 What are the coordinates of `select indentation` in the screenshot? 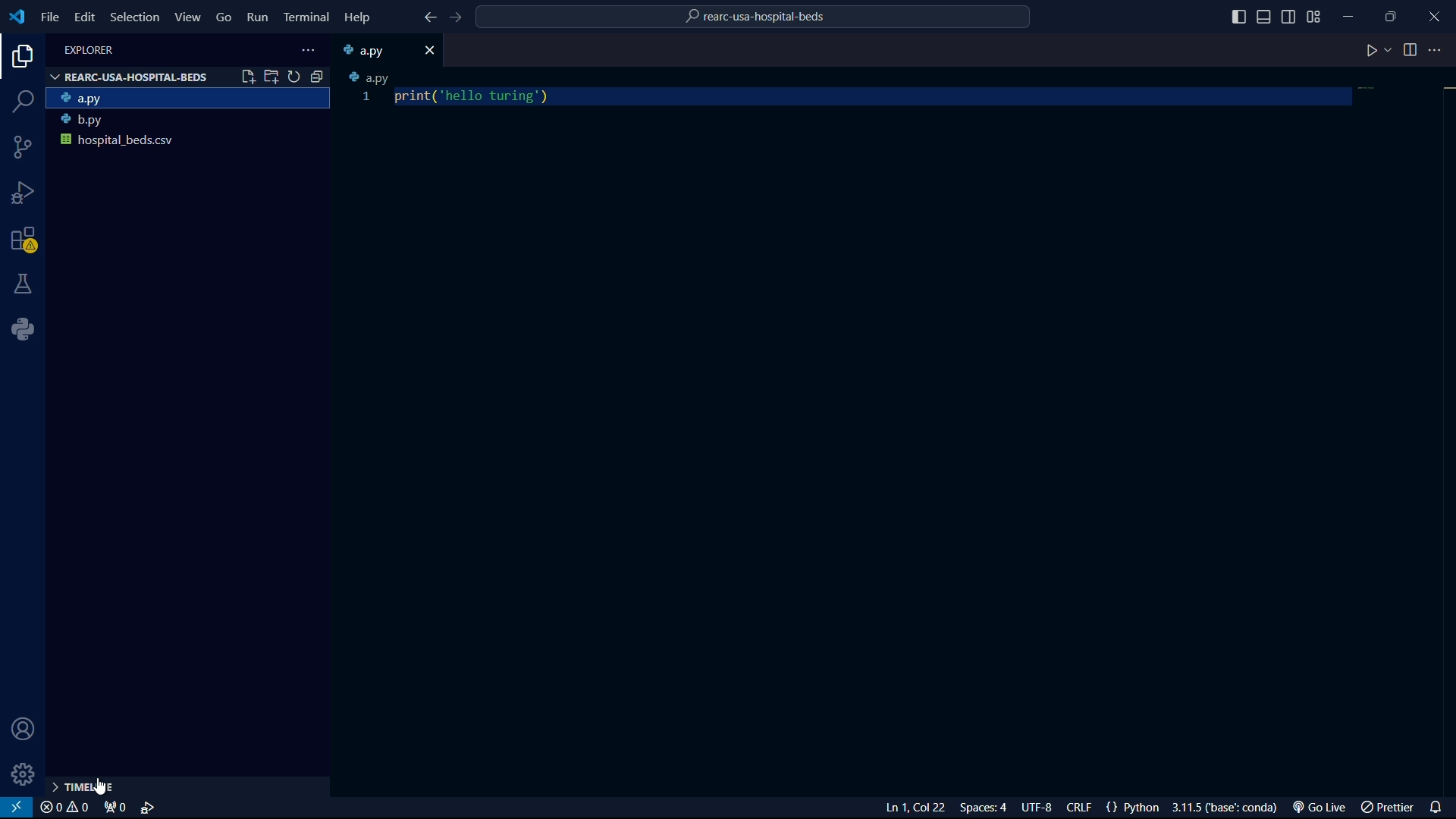 It's located at (984, 809).